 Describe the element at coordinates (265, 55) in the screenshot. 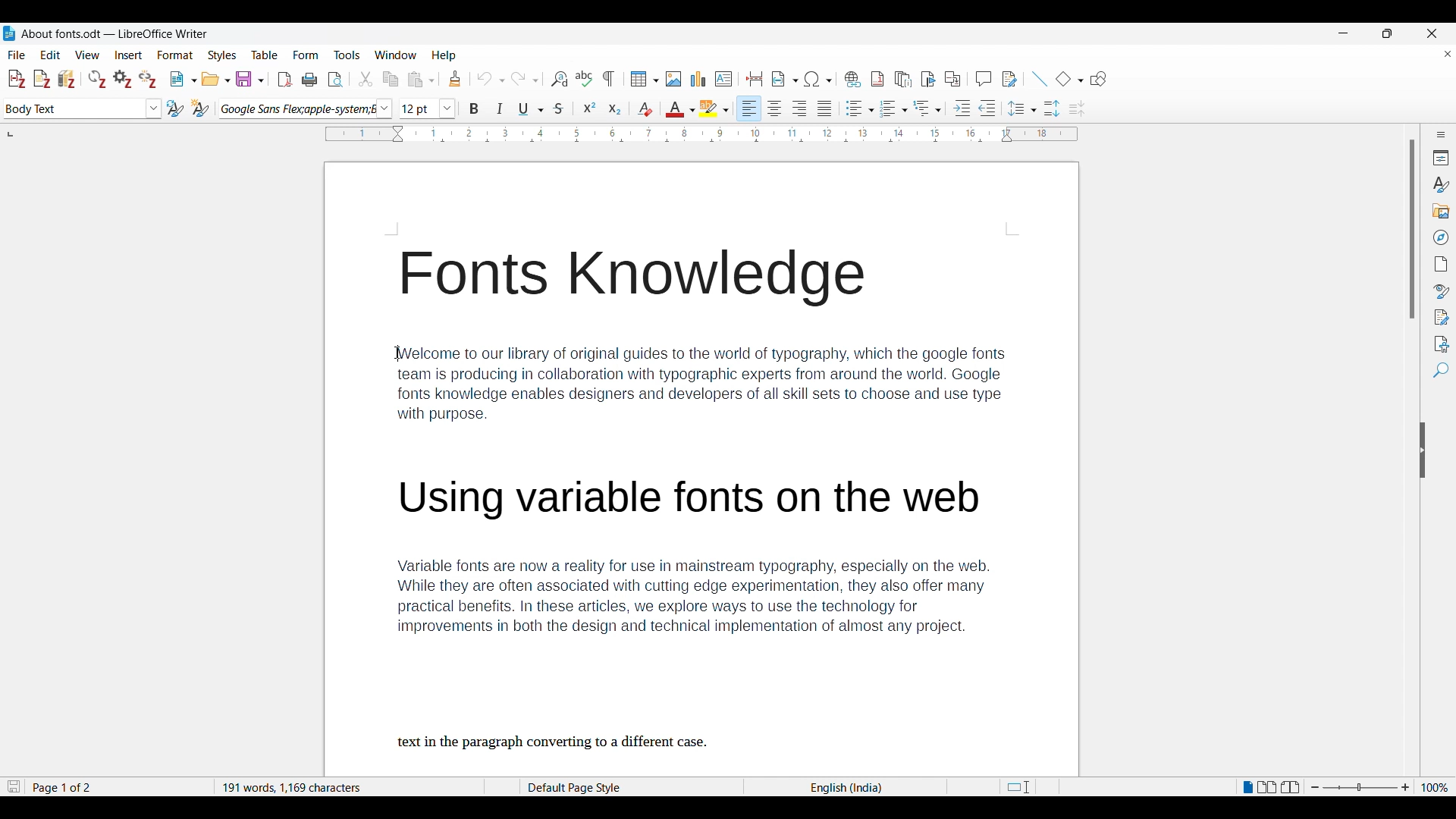

I see `Table menu` at that location.